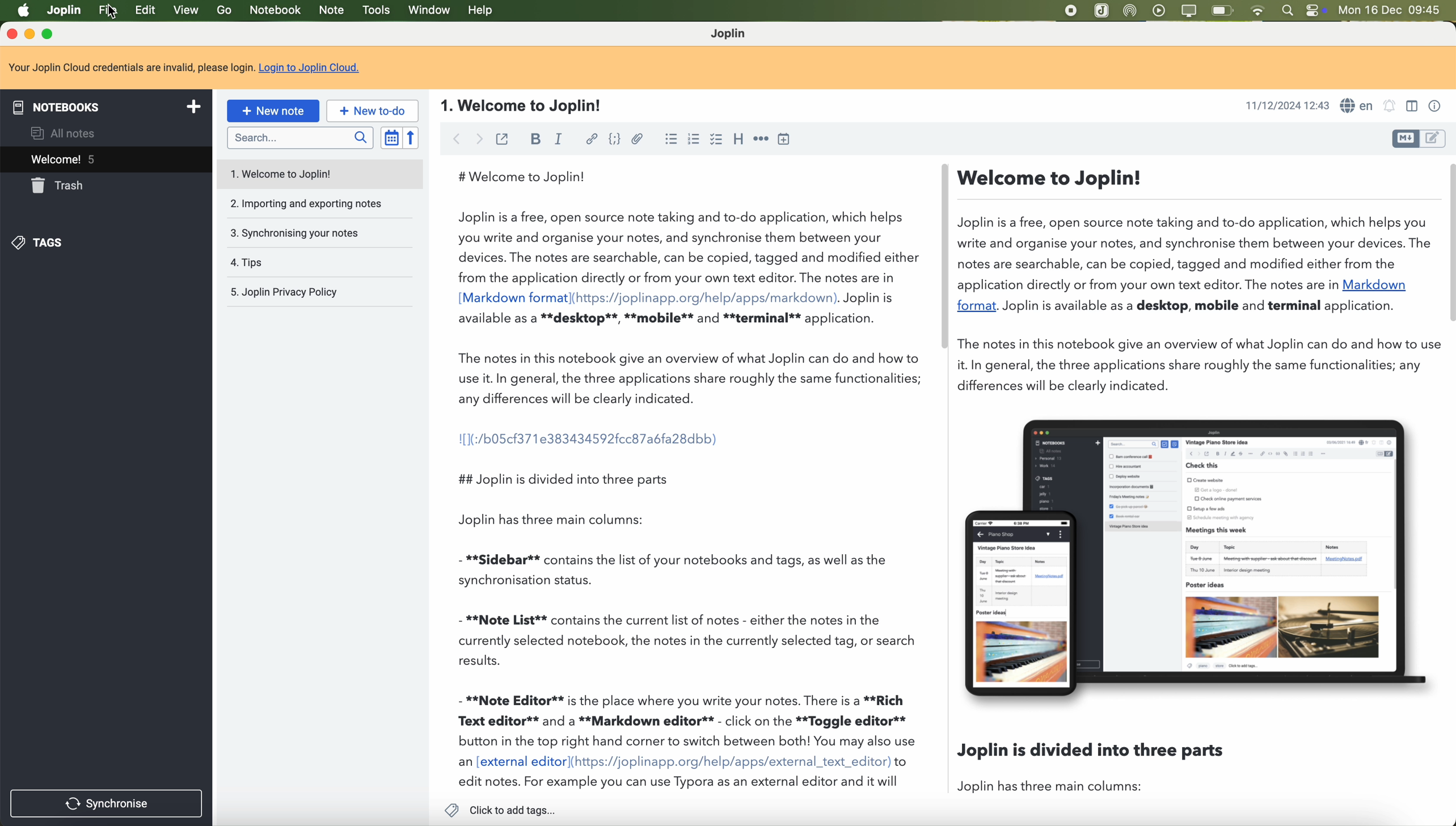 This screenshot has height=826, width=1456. What do you see at coordinates (333, 11) in the screenshot?
I see `note` at bounding box center [333, 11].